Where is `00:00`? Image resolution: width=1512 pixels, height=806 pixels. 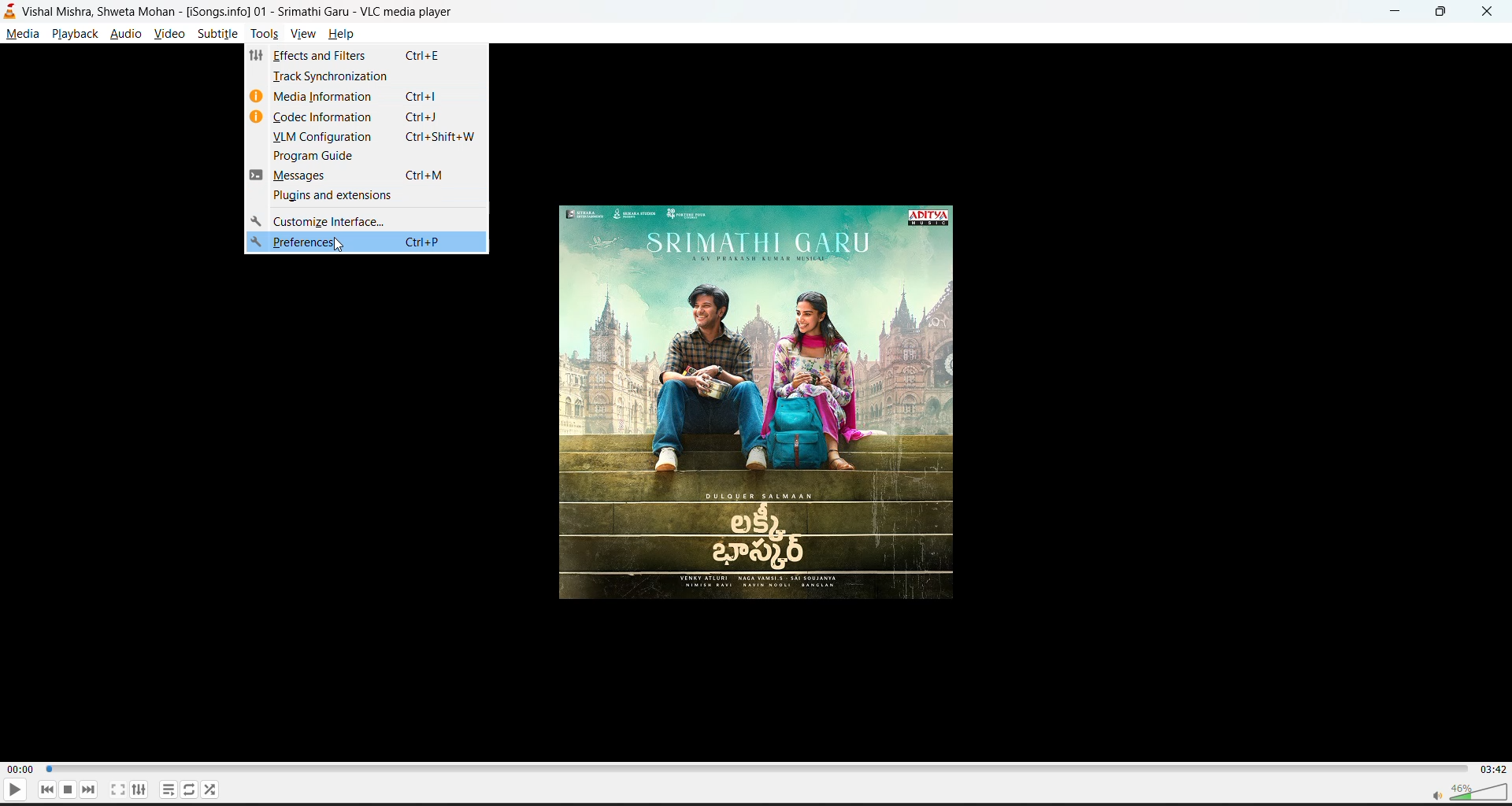 00:00 is located at coordinates (17, 770).